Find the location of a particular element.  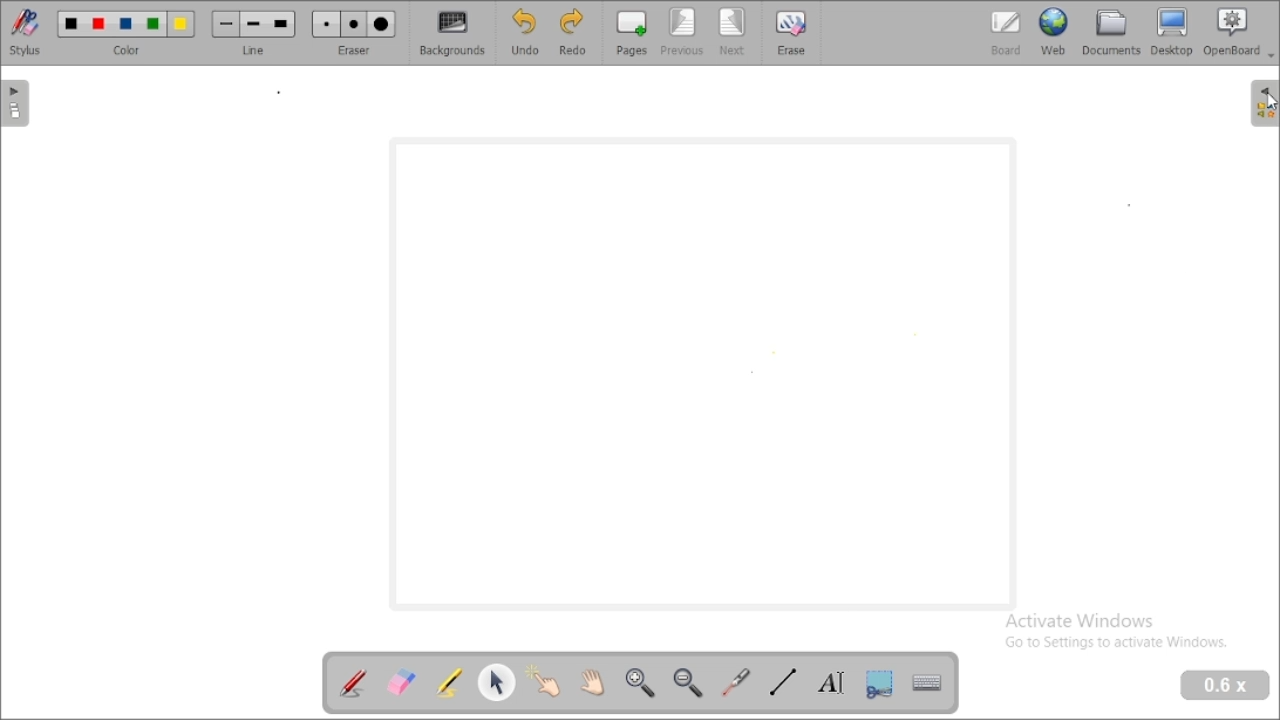

annotate document is located at coordinates (352, 682).